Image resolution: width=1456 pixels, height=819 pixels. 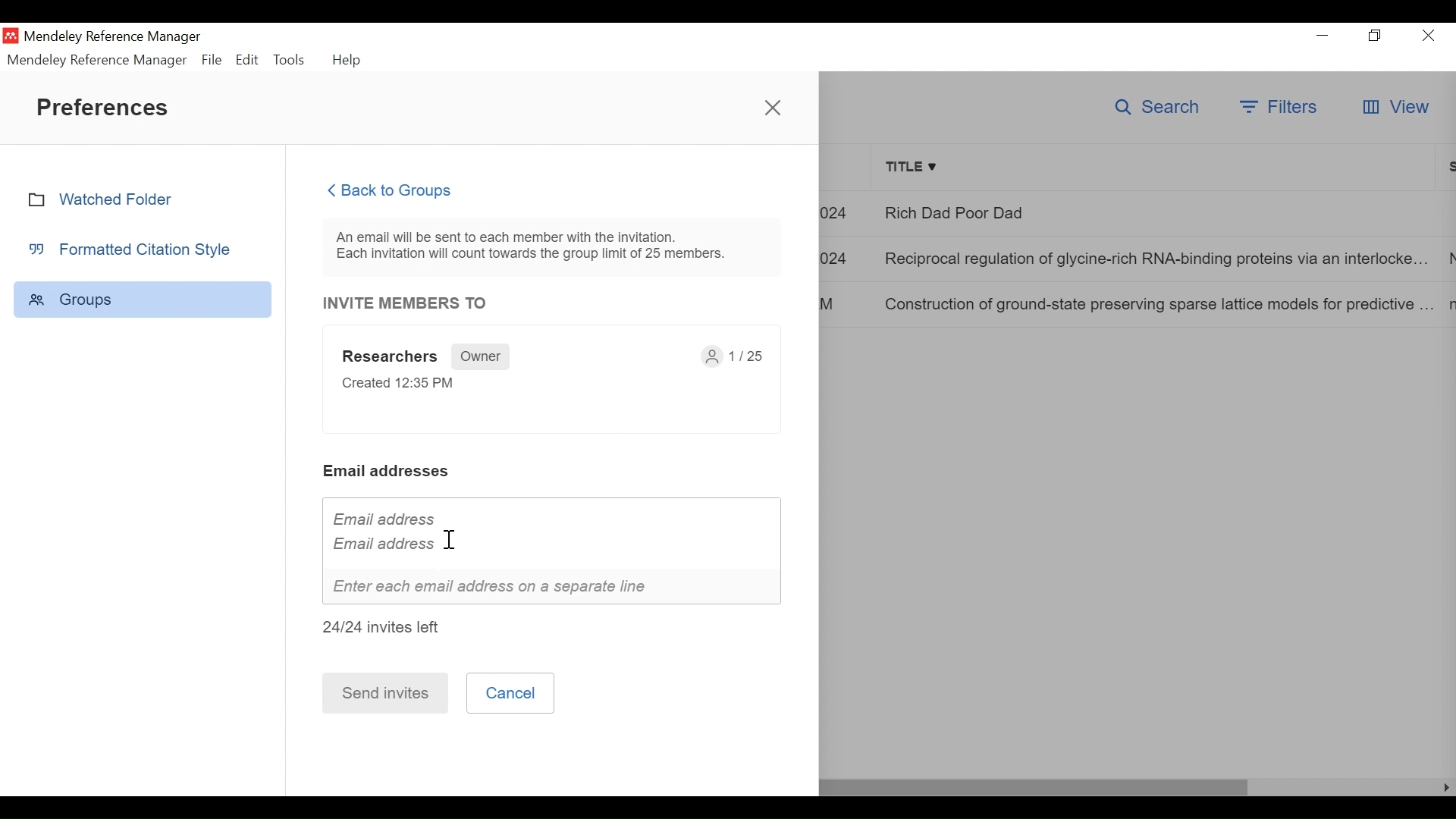 What do you see at coordinates (388, 470) in the screenshot?
I see `Email addresses` at bounding box center [388, 470].